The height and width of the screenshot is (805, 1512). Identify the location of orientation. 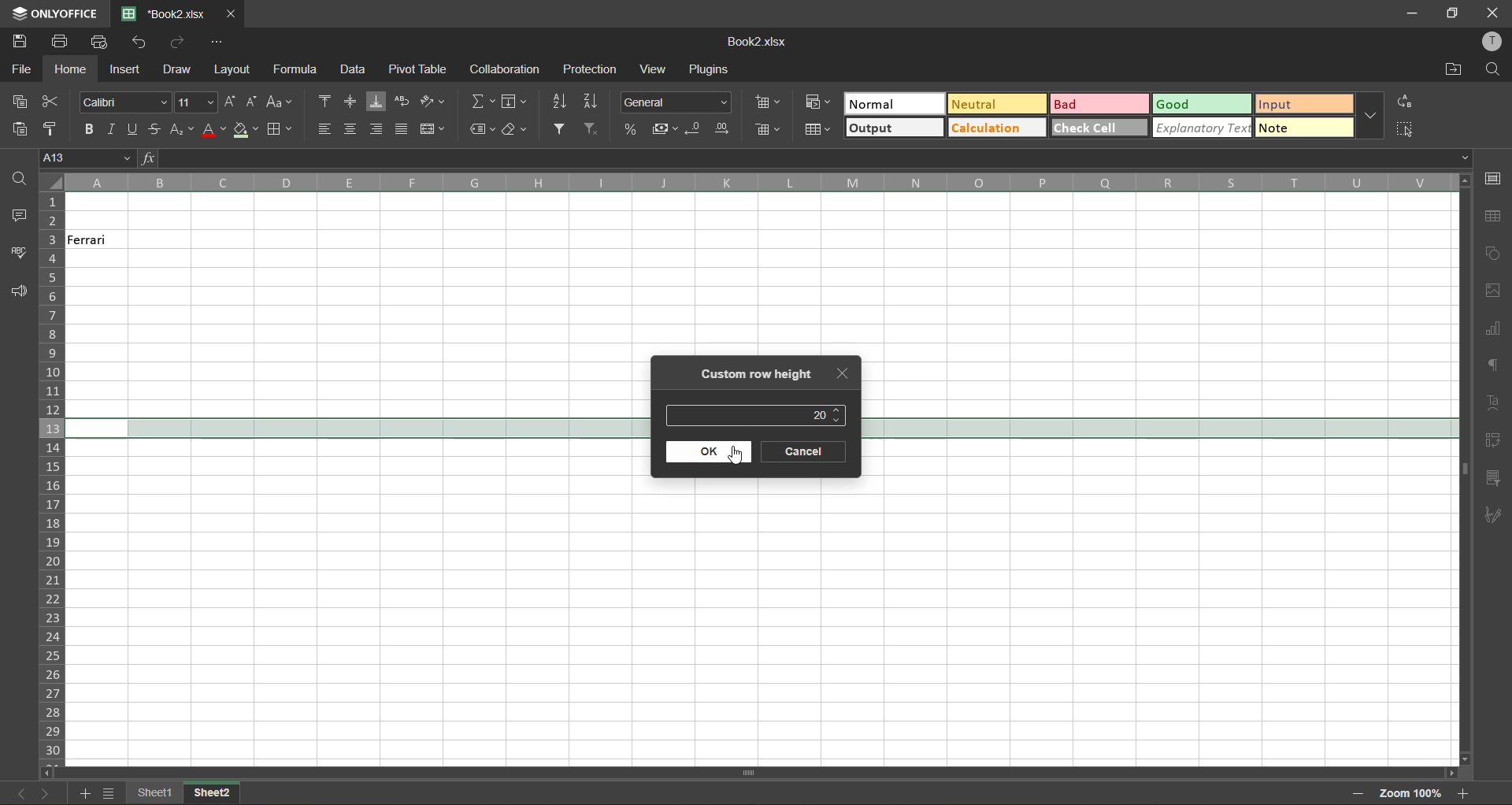
(435, 101).